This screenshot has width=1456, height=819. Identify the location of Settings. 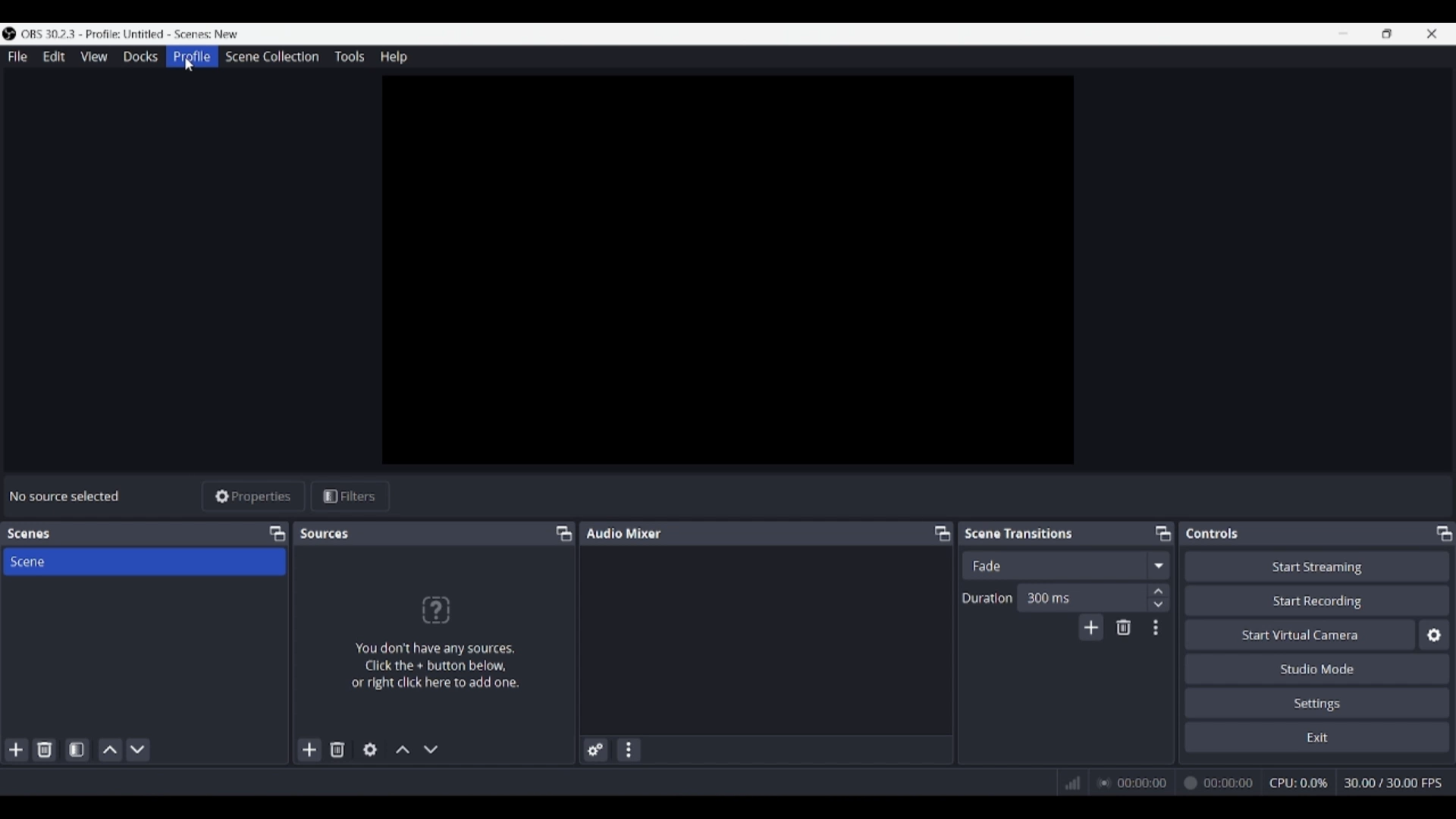
(1318, 702).